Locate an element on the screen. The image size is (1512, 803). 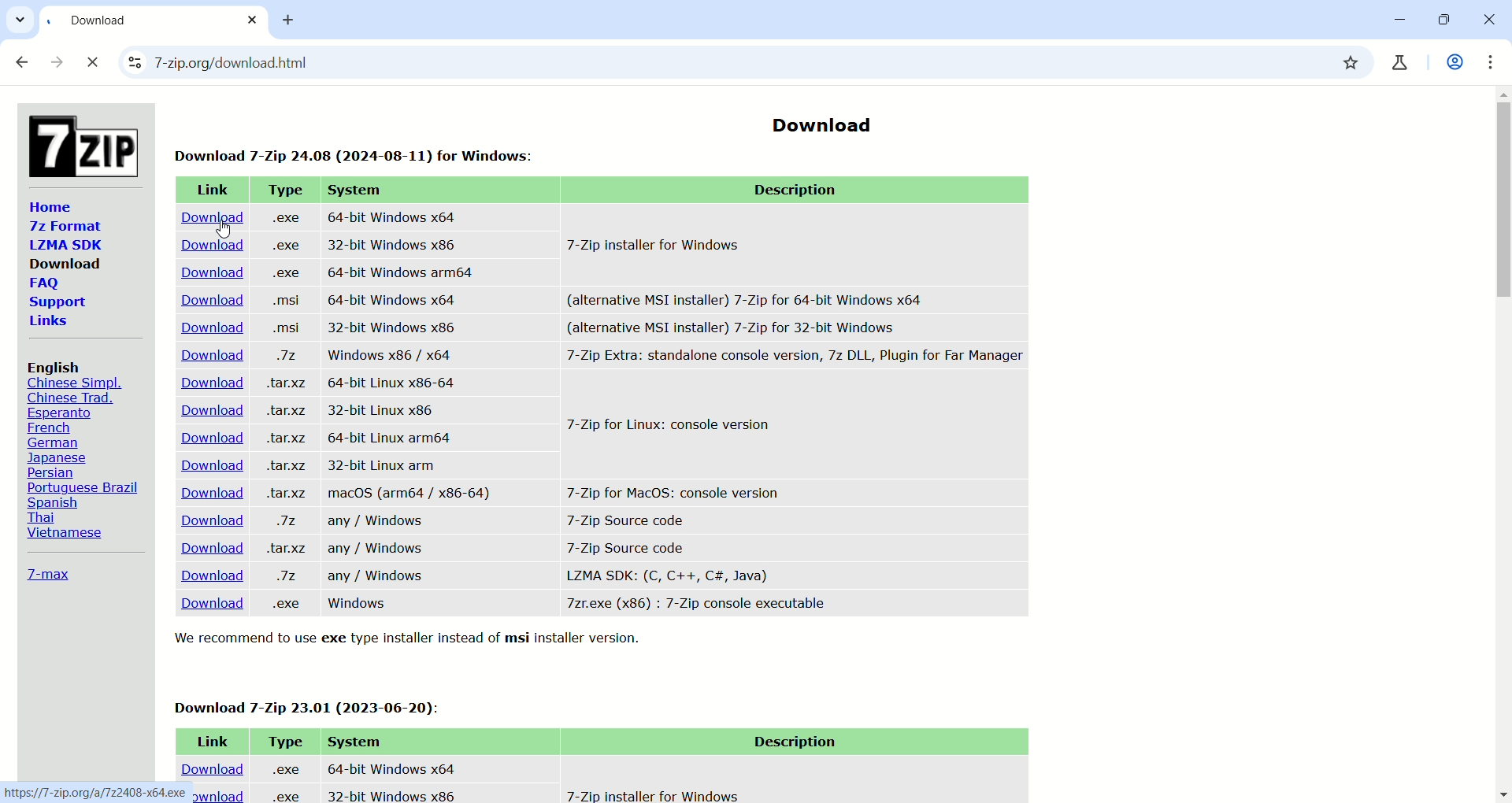
32-bit Windows x86 is located at coordinates (394, 245).